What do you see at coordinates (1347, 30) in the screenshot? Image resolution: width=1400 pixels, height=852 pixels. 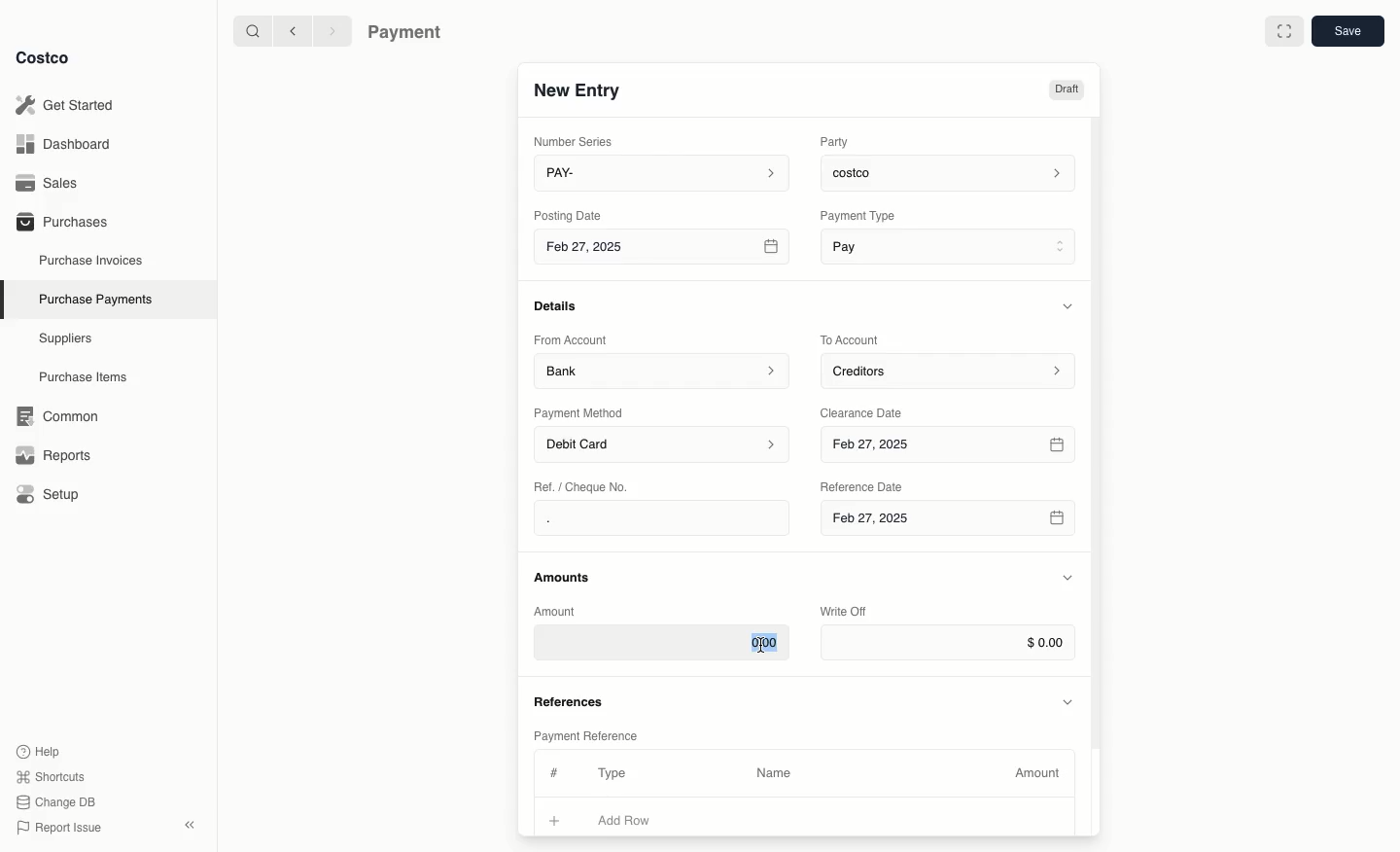 I see `Save` at bounding box center [1347, 30].